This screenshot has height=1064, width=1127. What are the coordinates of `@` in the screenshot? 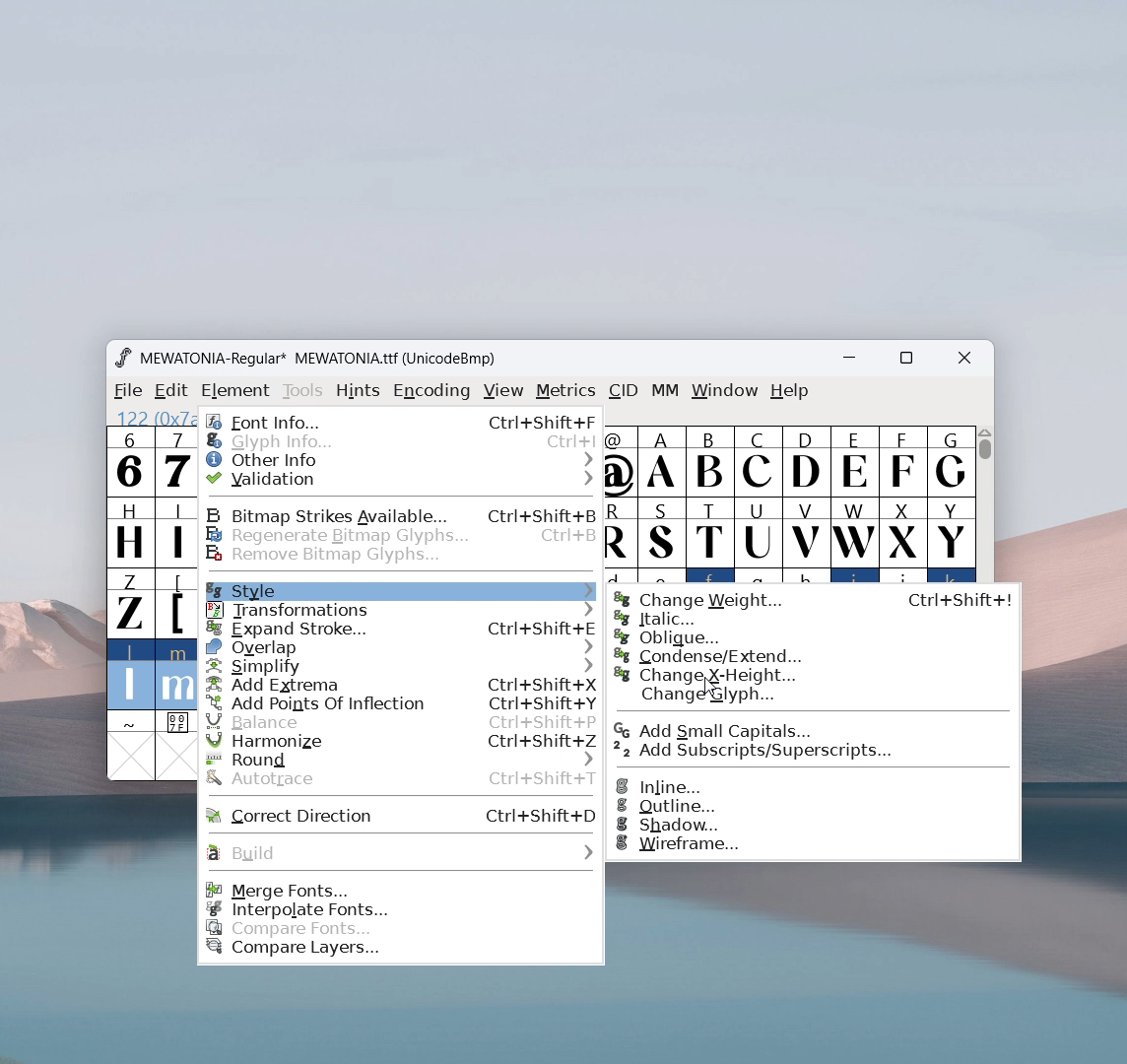 It's located at (622, 462).